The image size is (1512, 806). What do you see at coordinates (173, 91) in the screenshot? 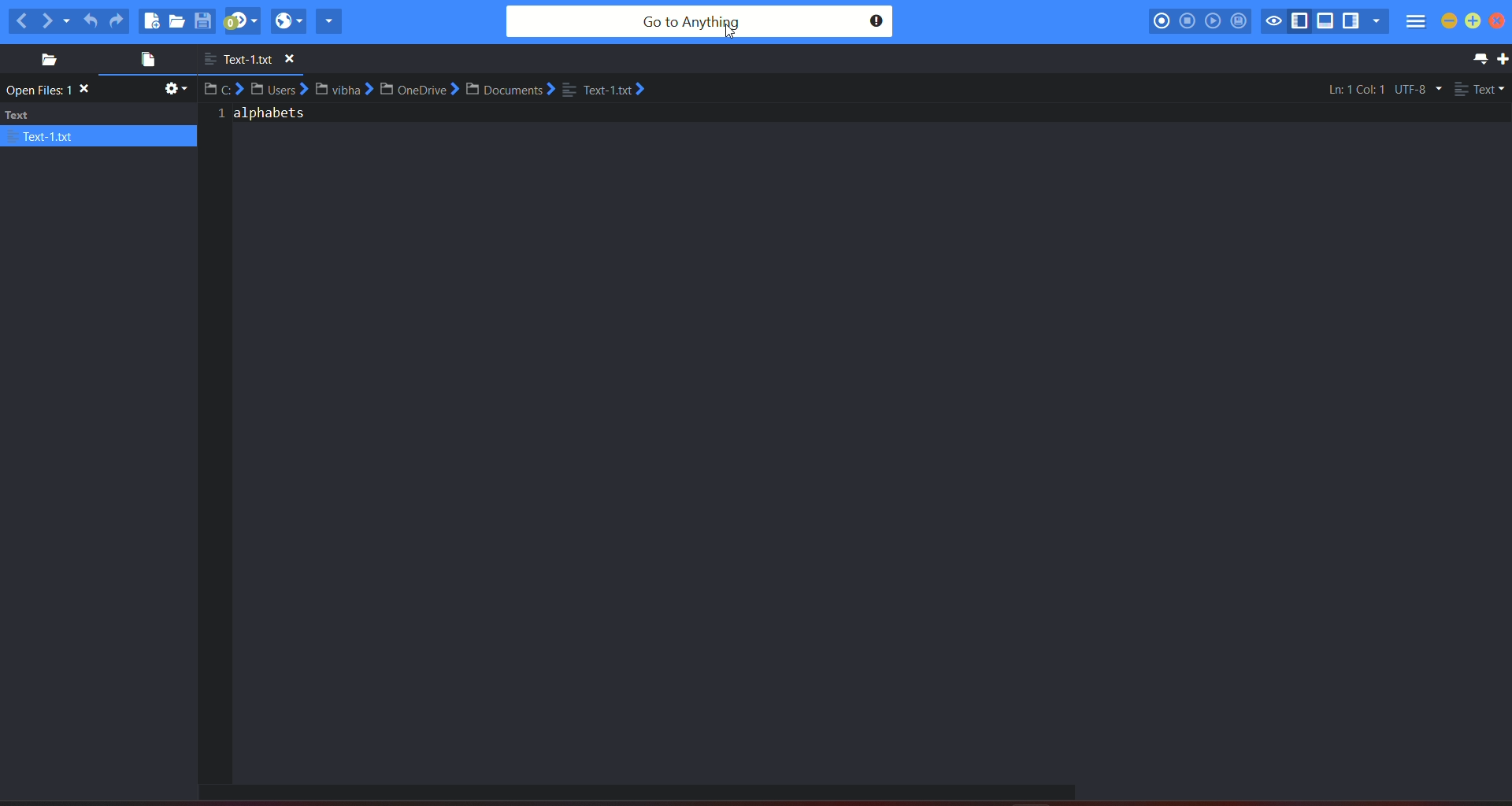
I see `settings` at bounding box center [173, 91].